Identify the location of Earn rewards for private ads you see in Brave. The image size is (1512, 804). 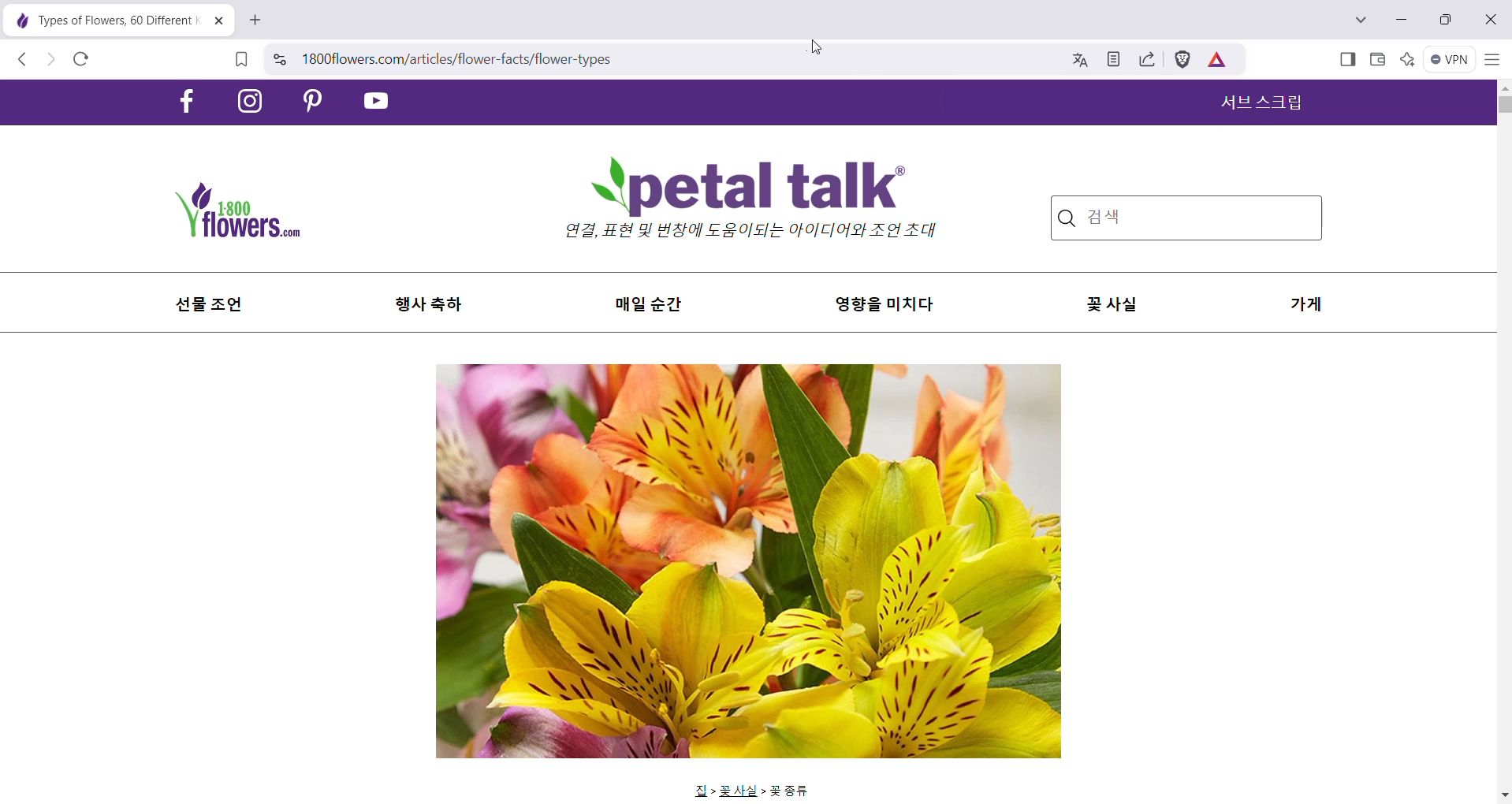
(1215, 60).